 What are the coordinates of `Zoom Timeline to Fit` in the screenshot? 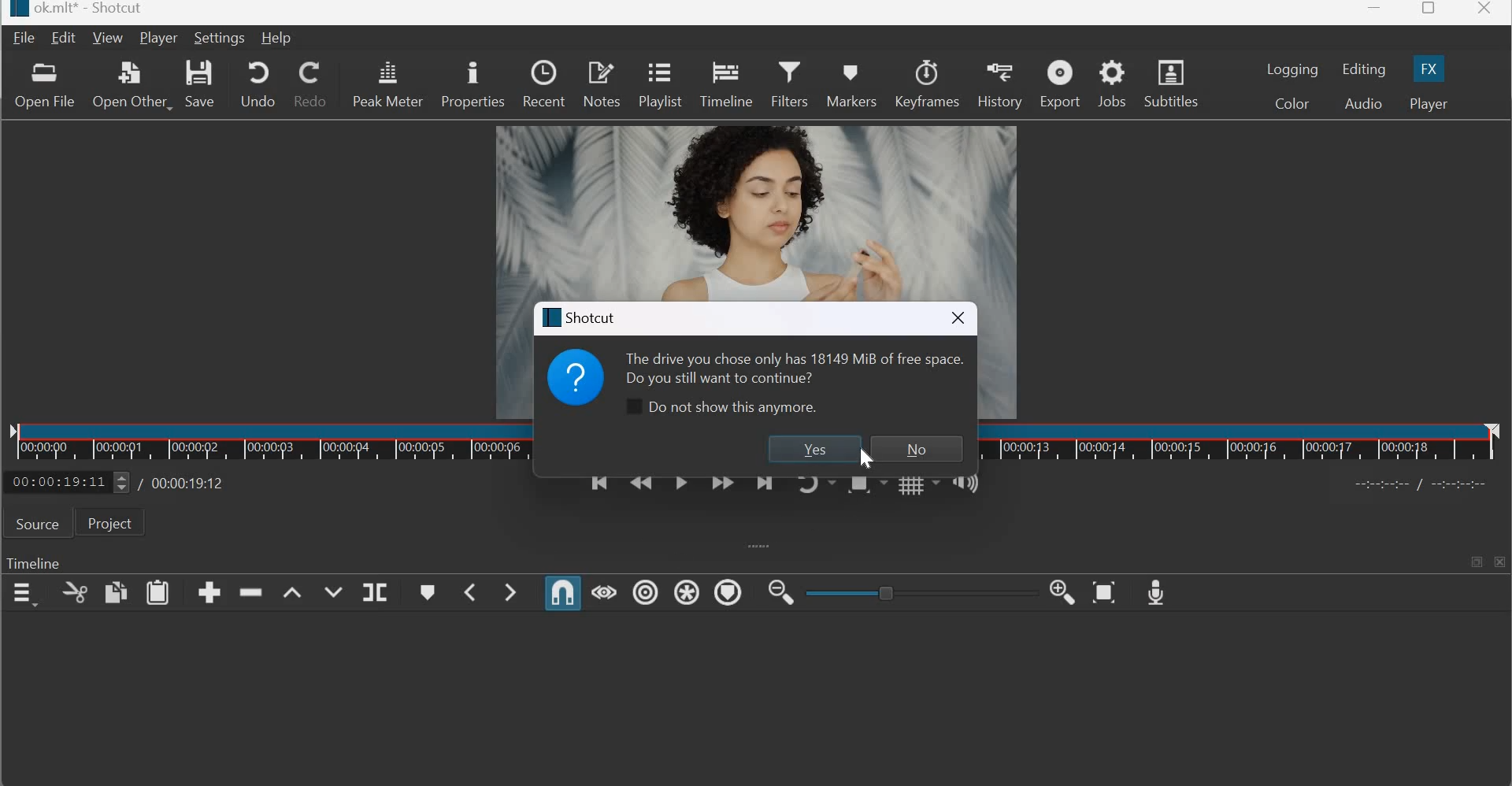 It's located at (1106, 592).